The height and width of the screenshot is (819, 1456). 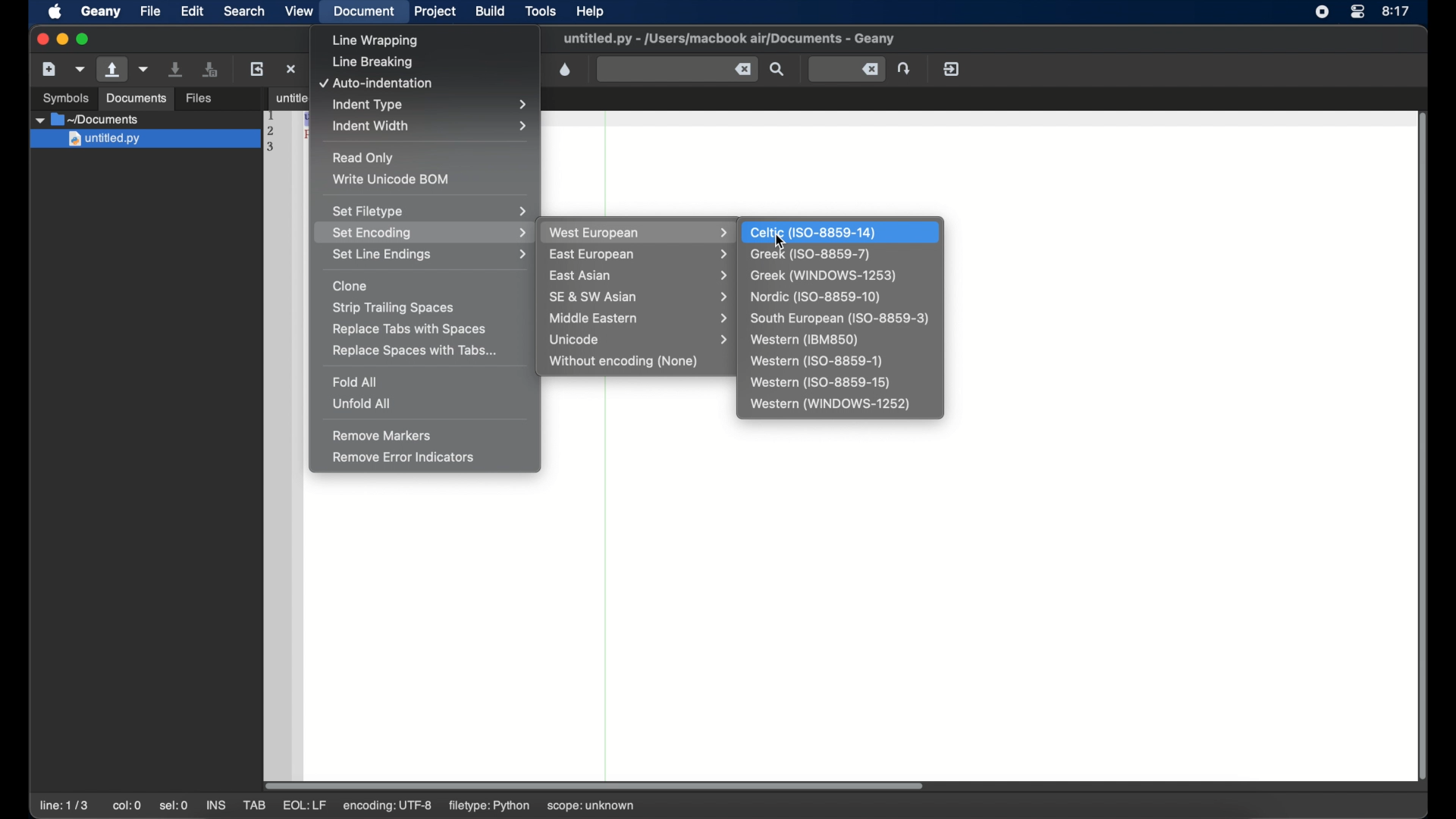 What do you see at coordinates (210, 69) in the screenshot?
I see `save all open files` at bounding box center [210, 69].